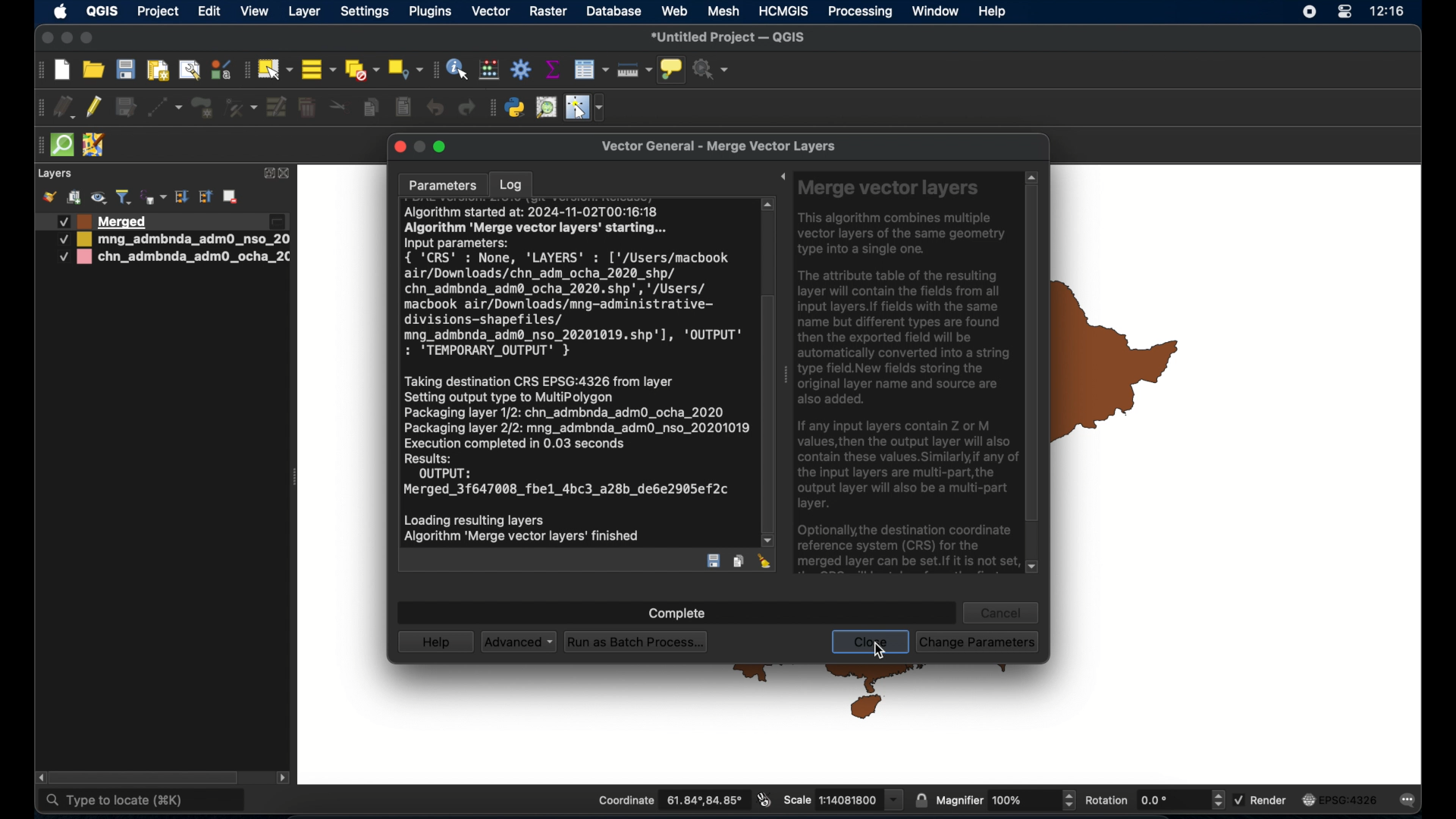 This screenshot has width=1456, height=819. What do you see at coordinates (101, 11) in the screenshot?
I see `QGIS` at bounding box center [101, 11].